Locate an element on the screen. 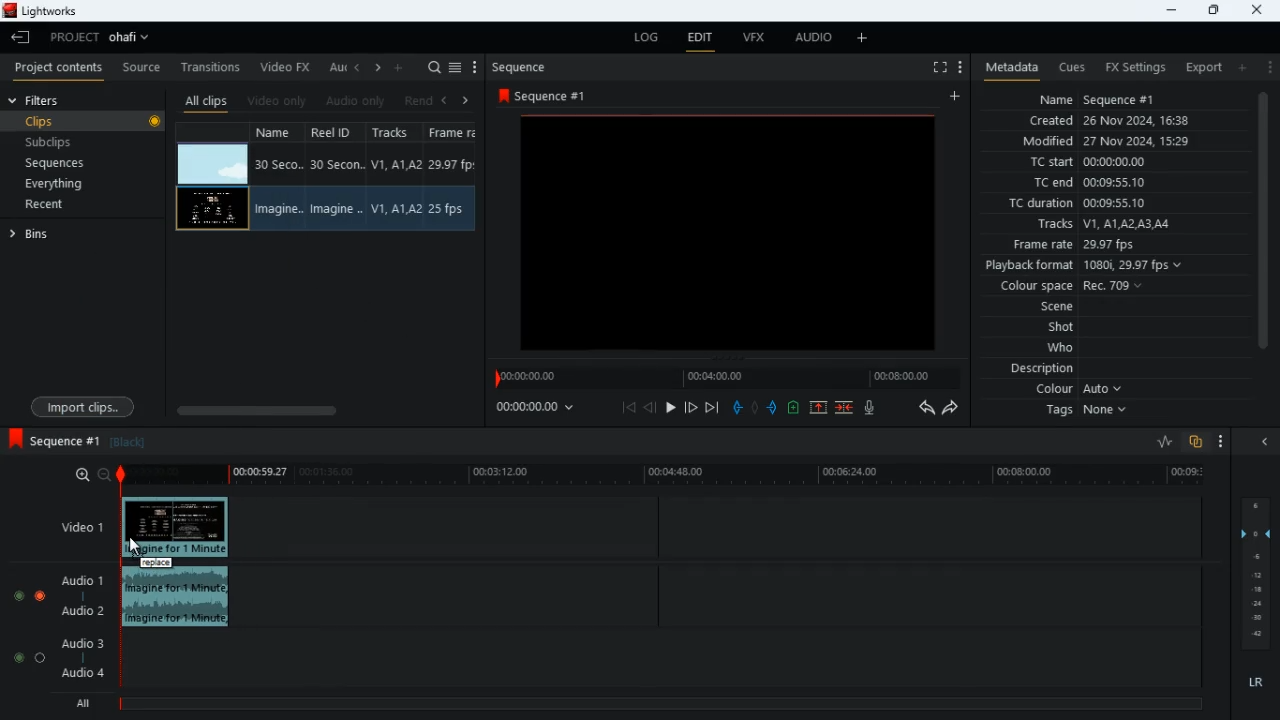  tracks is located at coordinates (398, 133).